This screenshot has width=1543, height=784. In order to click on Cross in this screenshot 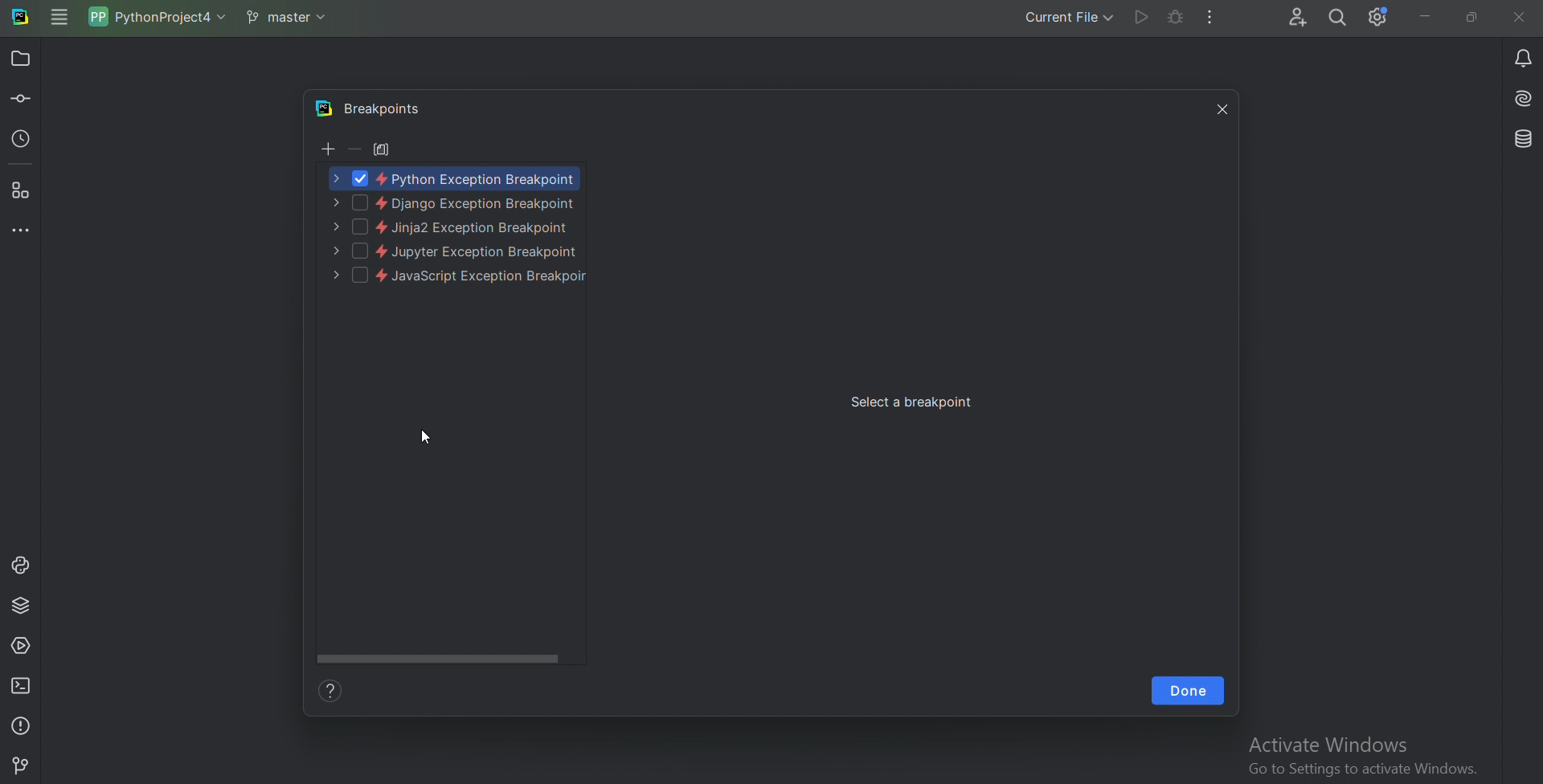, I will do `click(1520, 16)`.